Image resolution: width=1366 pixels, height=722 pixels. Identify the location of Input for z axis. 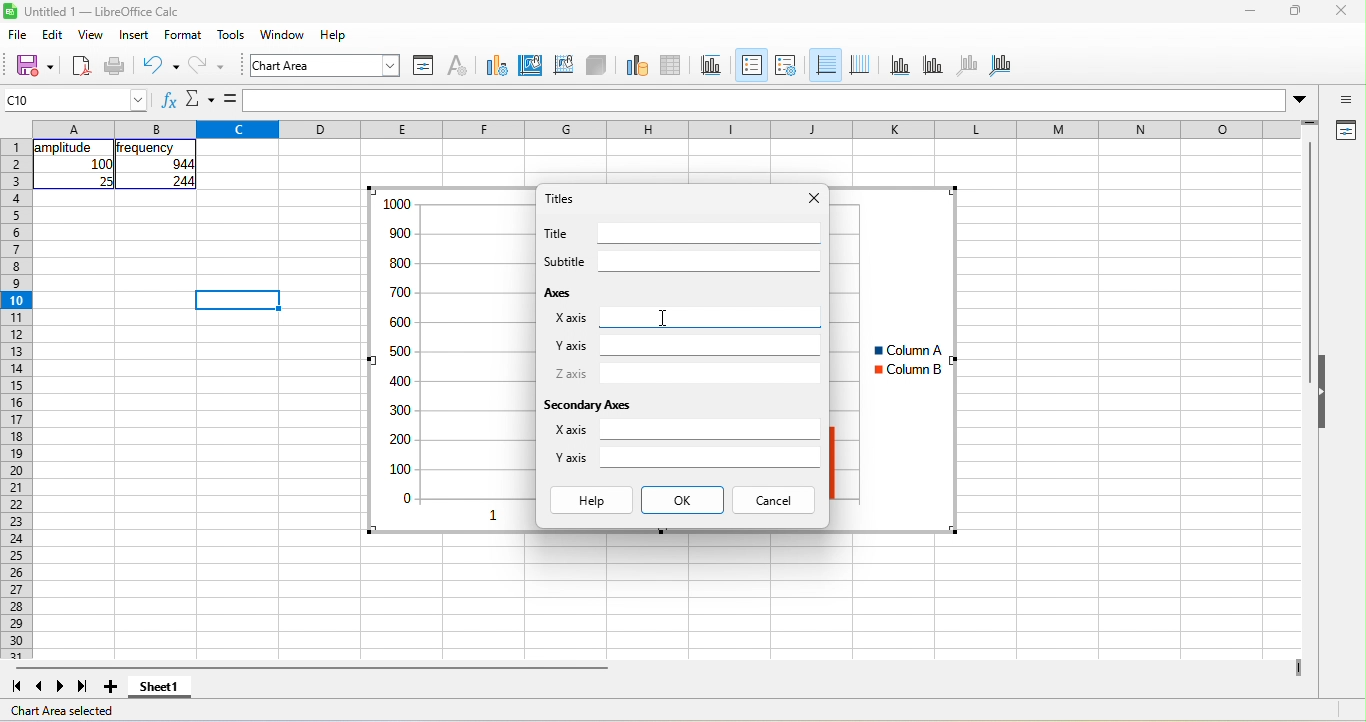
(710, 374).